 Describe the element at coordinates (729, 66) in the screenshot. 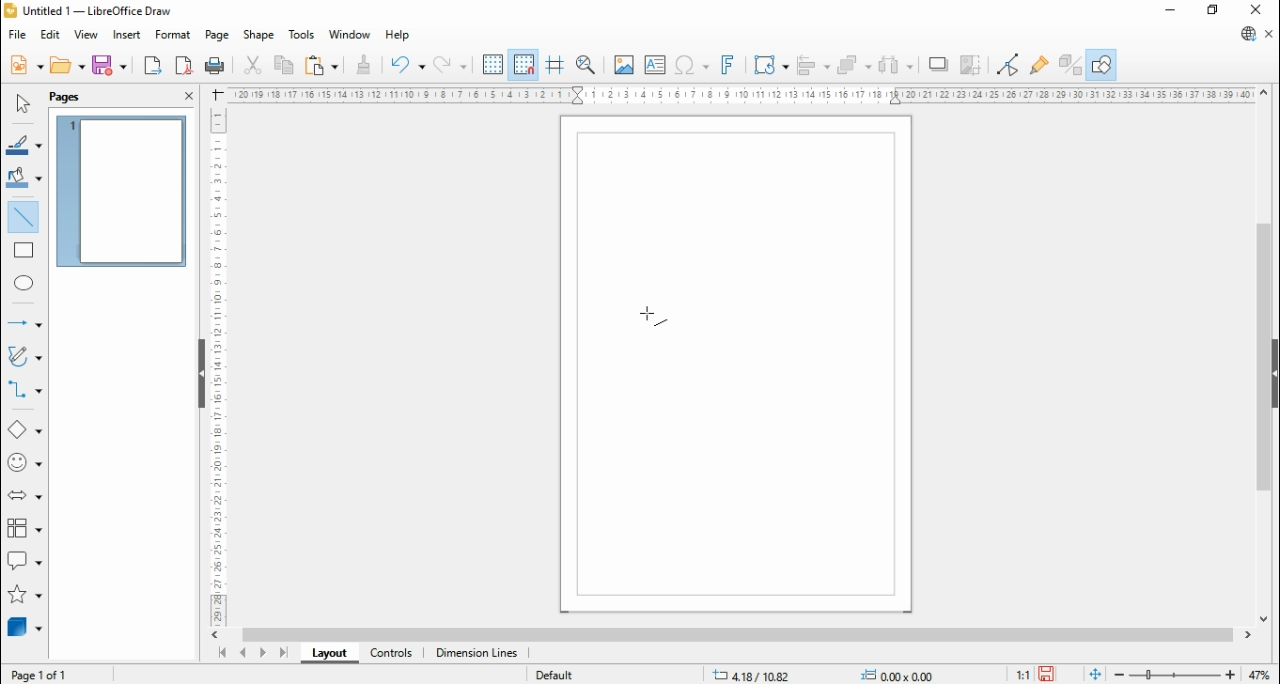

I see `insert fontwork text` at that location.